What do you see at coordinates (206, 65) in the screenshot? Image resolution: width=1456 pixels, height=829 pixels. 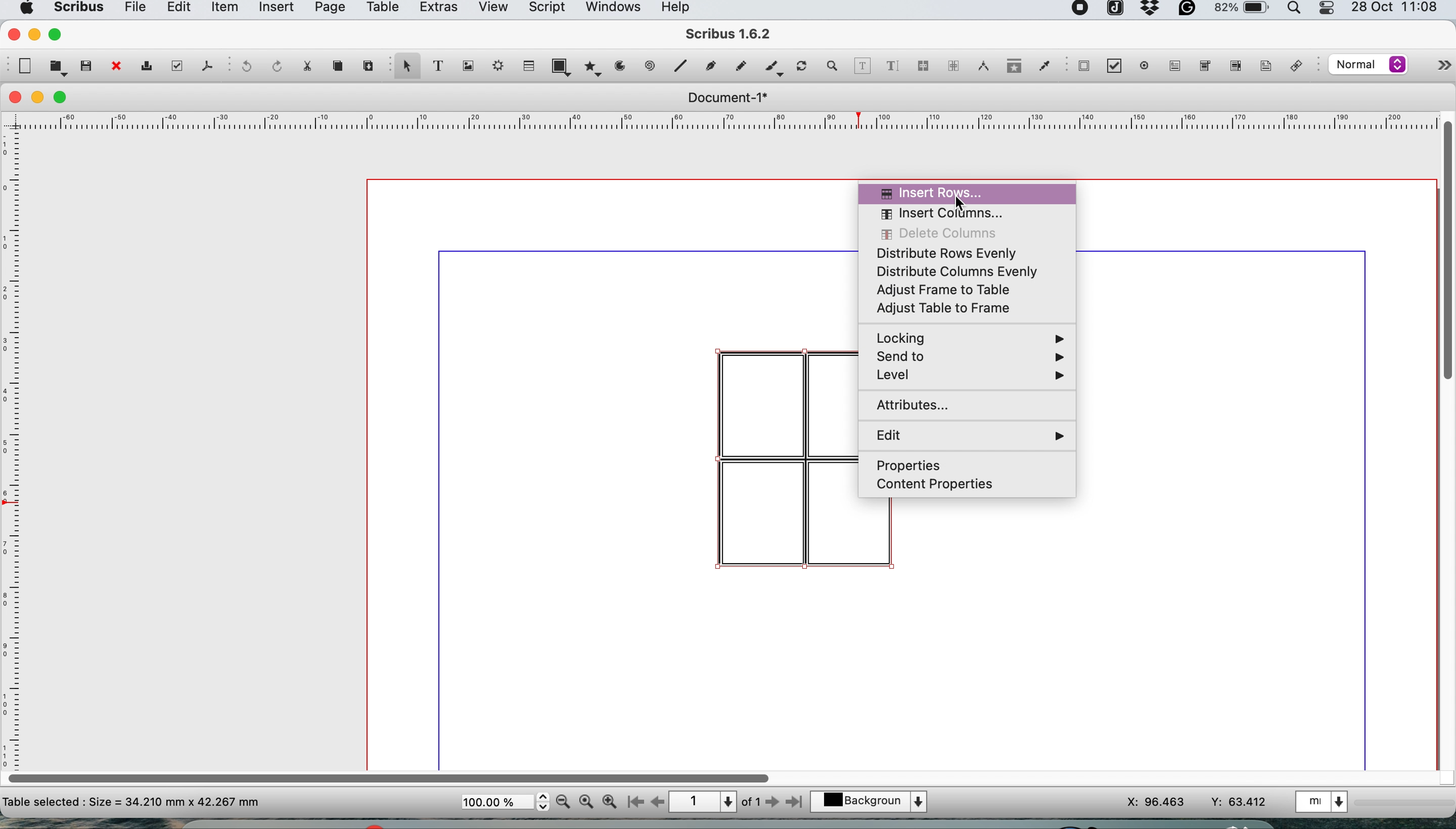 I see `save as pdf` at bounding box center [206, 65].